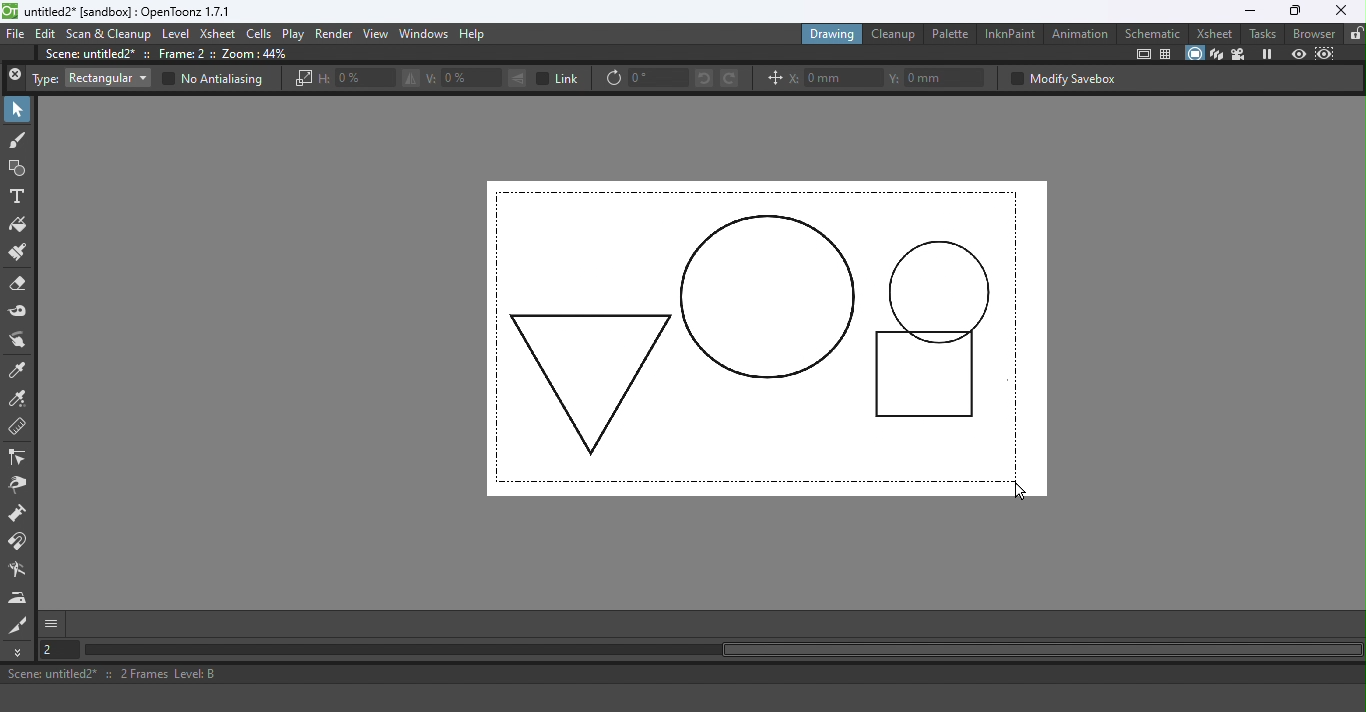 The width and height of the screenshot is (1366, 712). Describe the element at coordinates (1154, 32) in the screenshot. I see `Schematic` at that location.